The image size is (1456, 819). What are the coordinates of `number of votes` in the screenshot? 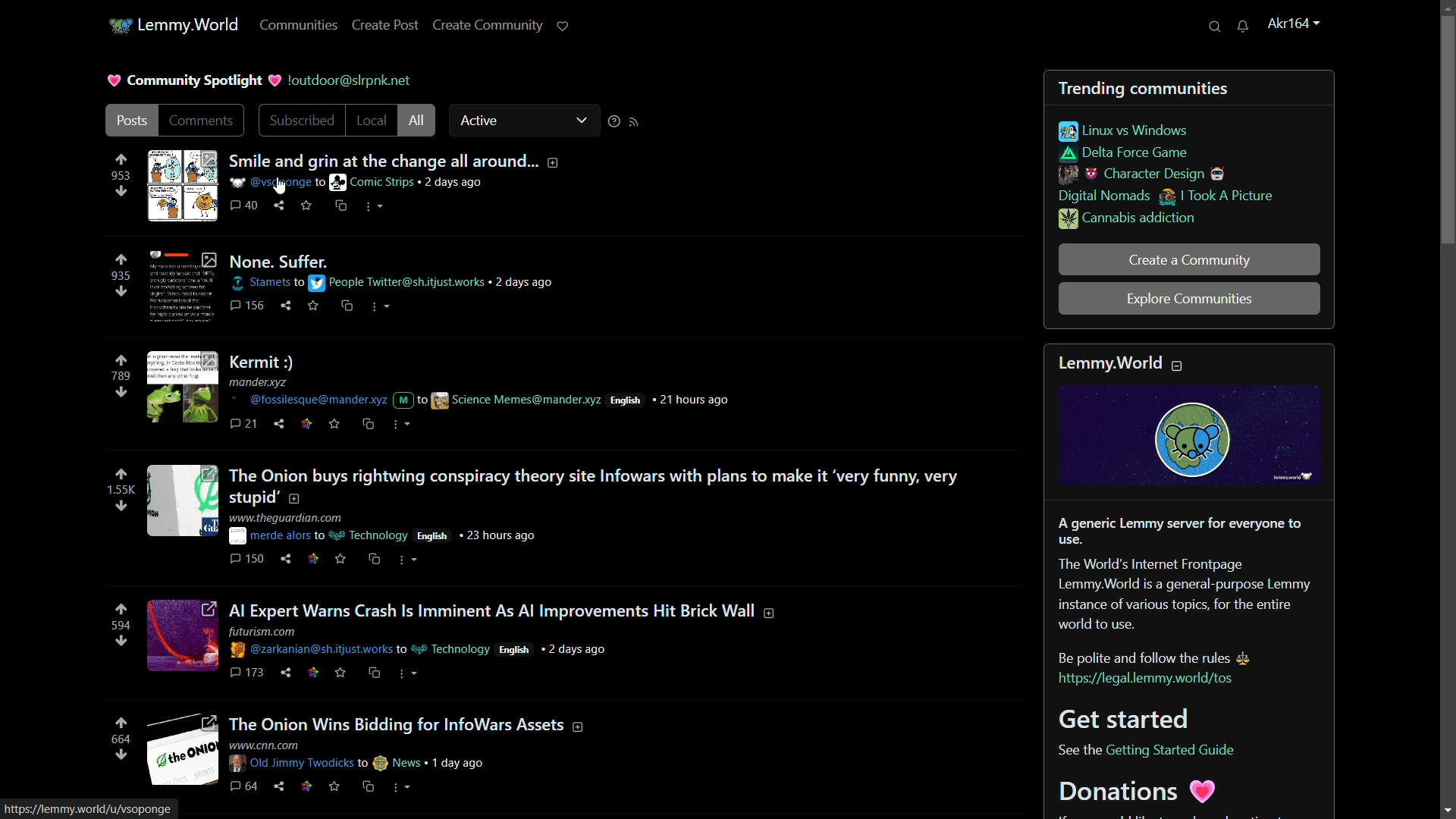 It's located at (122, 626).